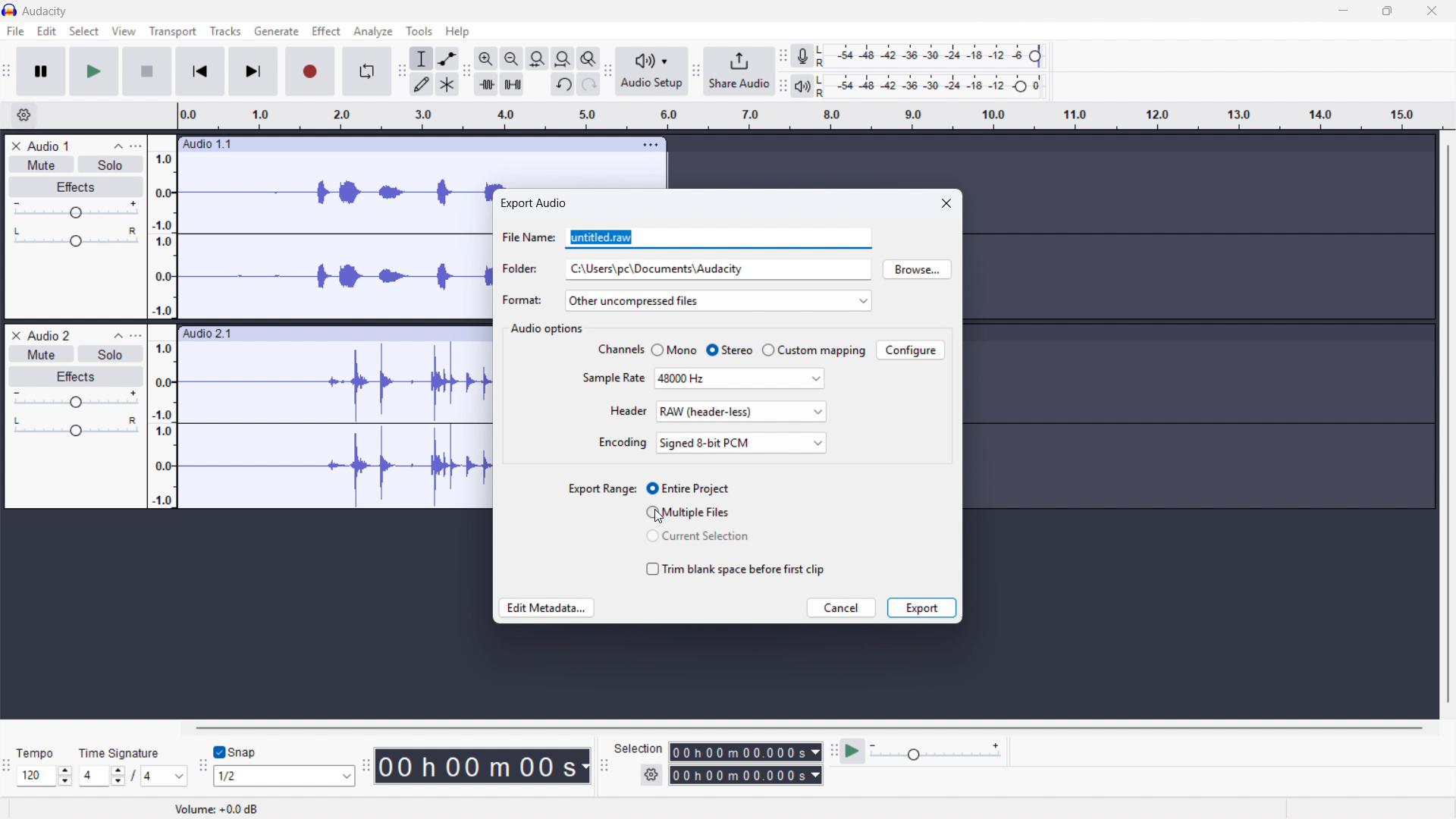  I want to click on Open track options, so click(652, 143).